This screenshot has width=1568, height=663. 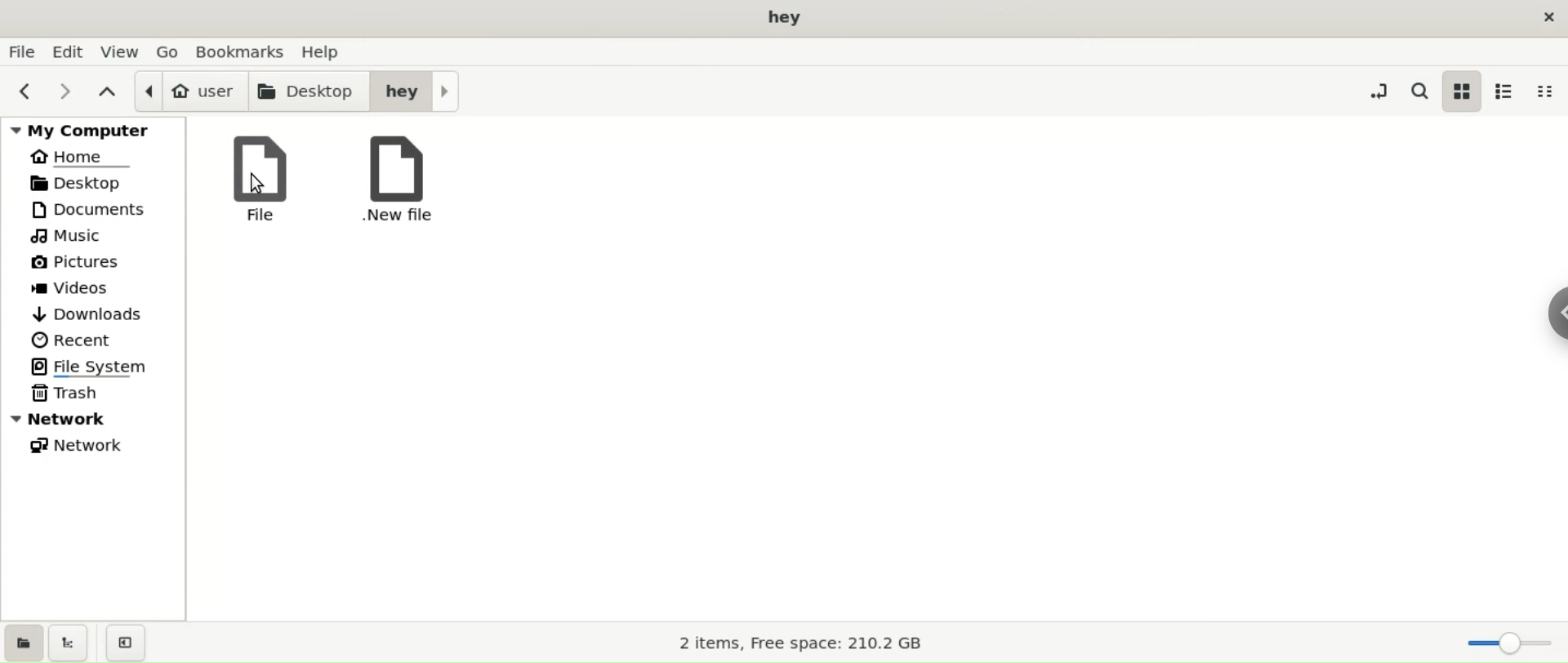 What do you see at coordinates (69, 93) in the screenshot?
I see `next` at bounding box center [69, 93].